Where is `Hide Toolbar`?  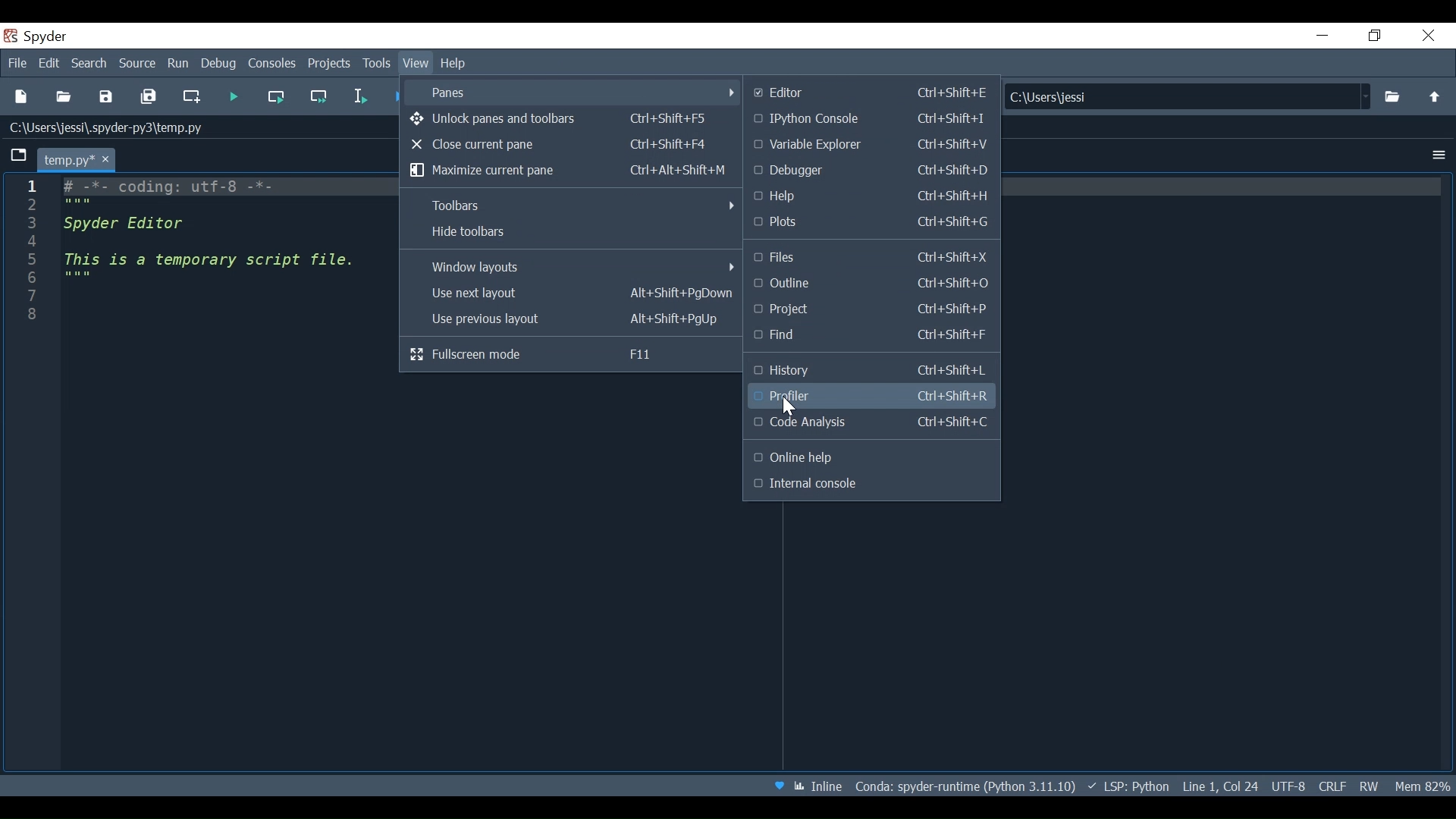 Hide Toolbar is located at coordinates (571, 233).